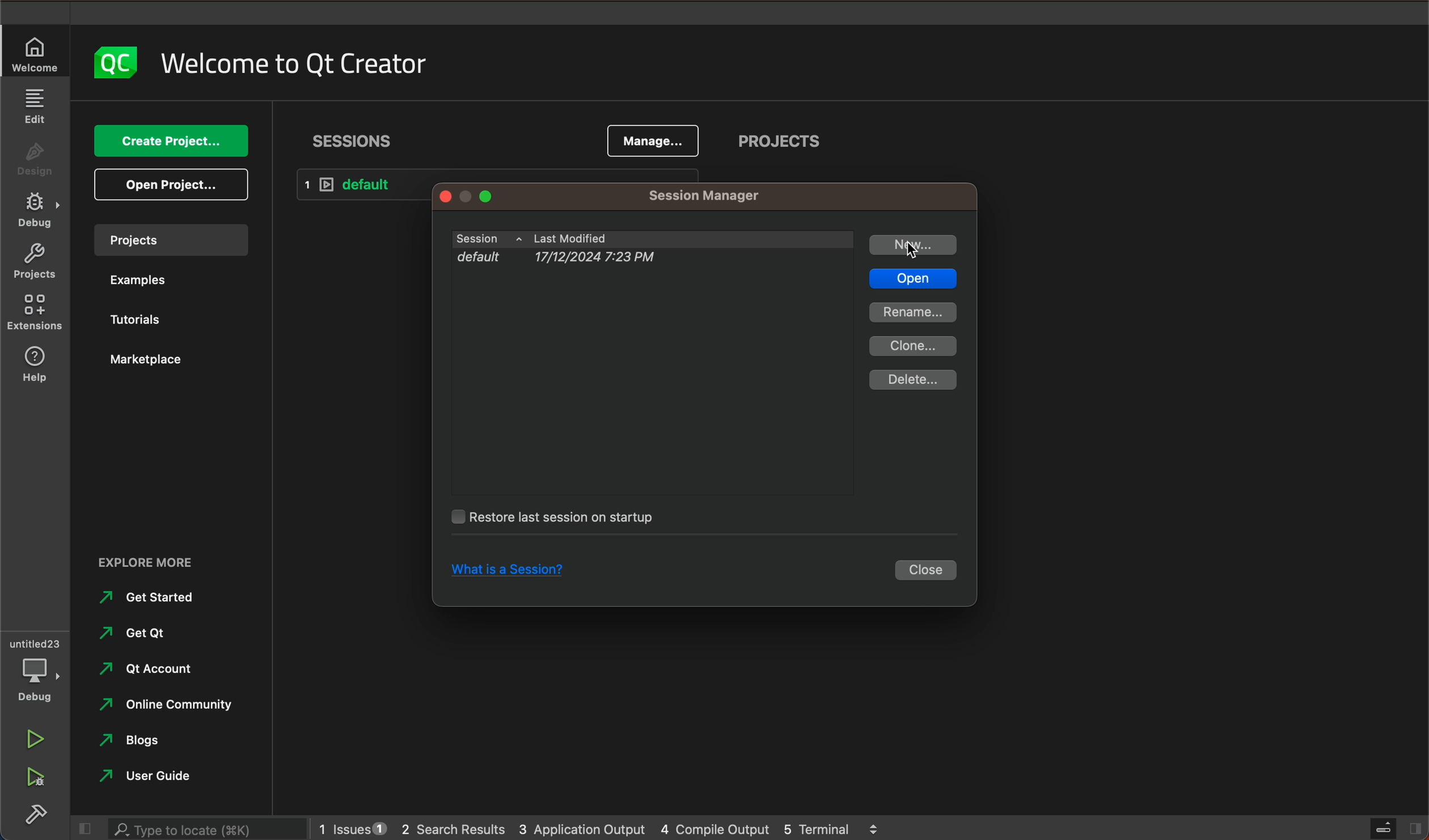  Describe the element at coordinates (35, 816) in the screenshot. I see `build` at that location.